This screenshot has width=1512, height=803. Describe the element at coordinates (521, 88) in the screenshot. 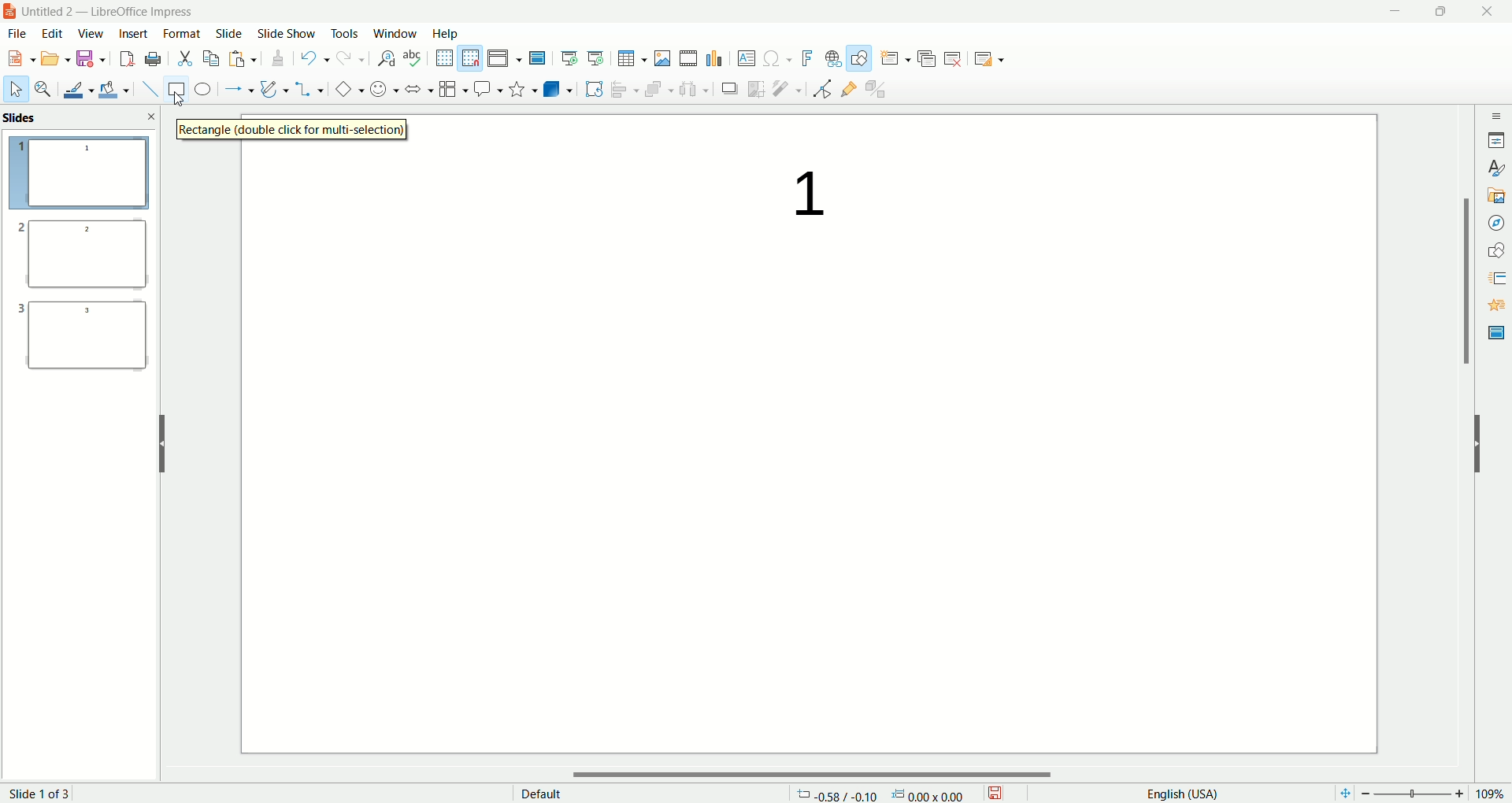

I see `stars and banners` at that location.